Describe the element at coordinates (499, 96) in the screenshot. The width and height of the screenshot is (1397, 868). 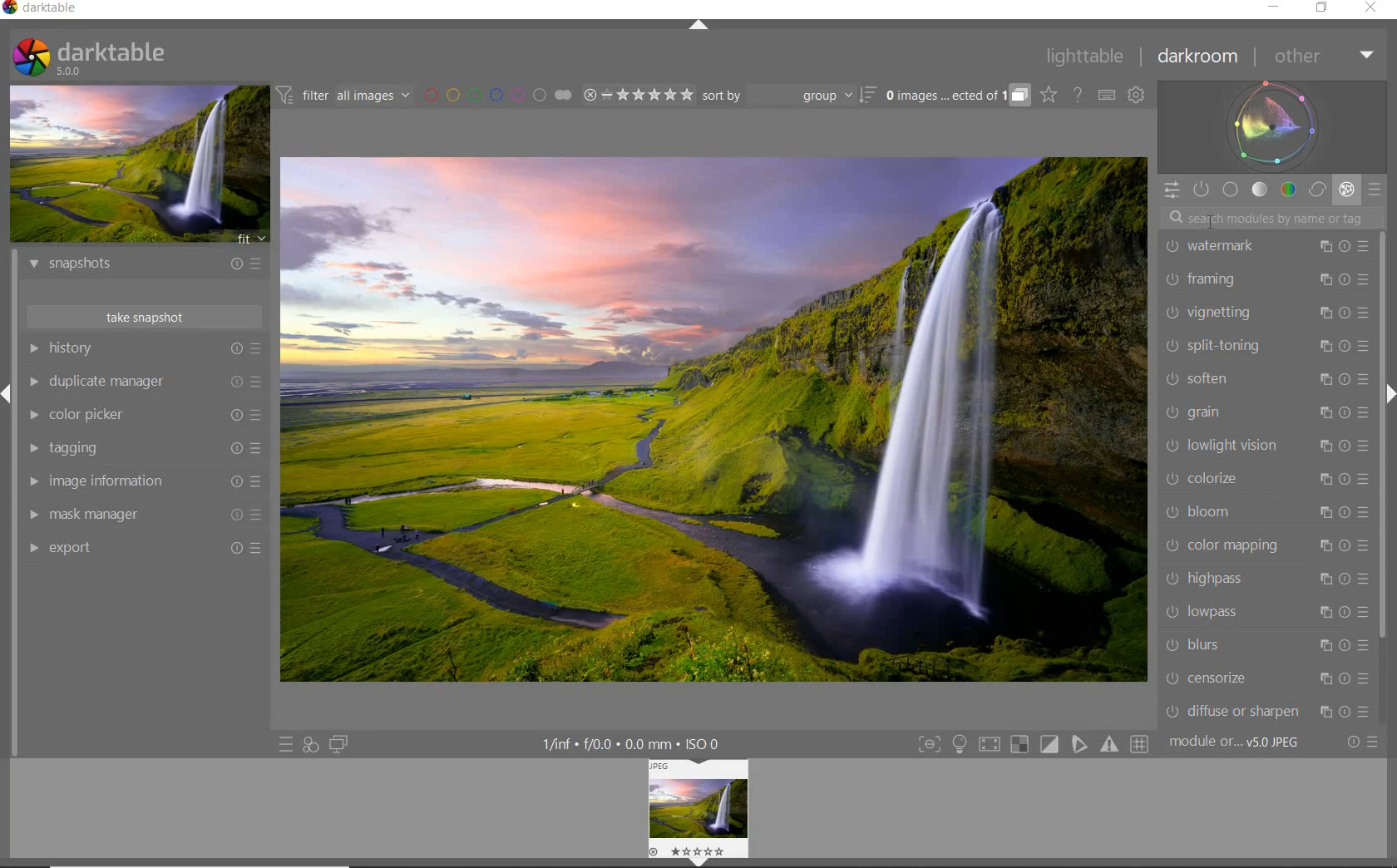
I see `FILTER BY IMAGE COLOR LABEL` at that location.